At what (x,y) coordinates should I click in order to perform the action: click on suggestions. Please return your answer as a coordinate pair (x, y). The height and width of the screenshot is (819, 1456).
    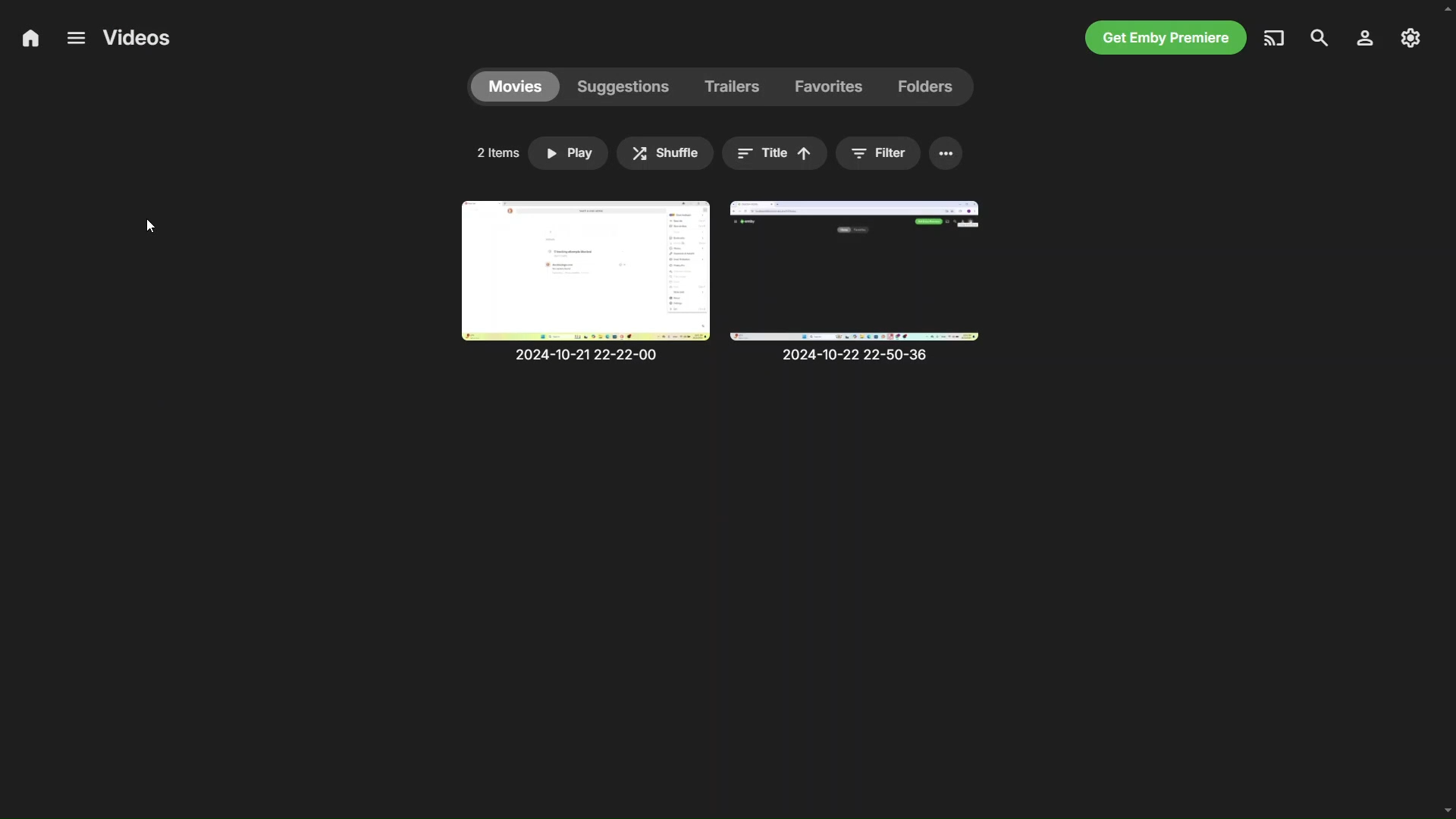
    Looking at the image, I should click on (623, 87).